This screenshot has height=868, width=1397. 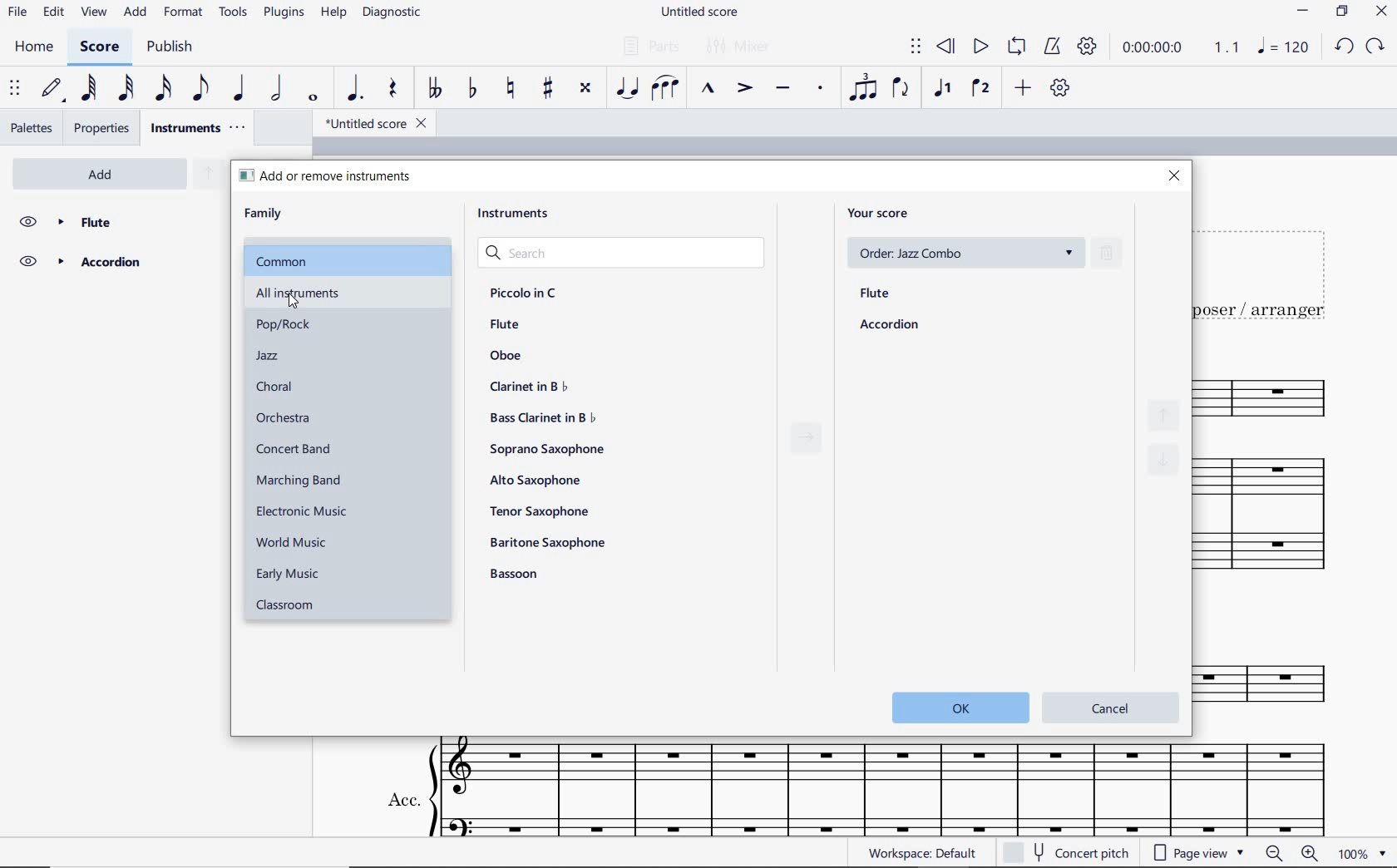 I want to click on add, so click(x=105, y=174).